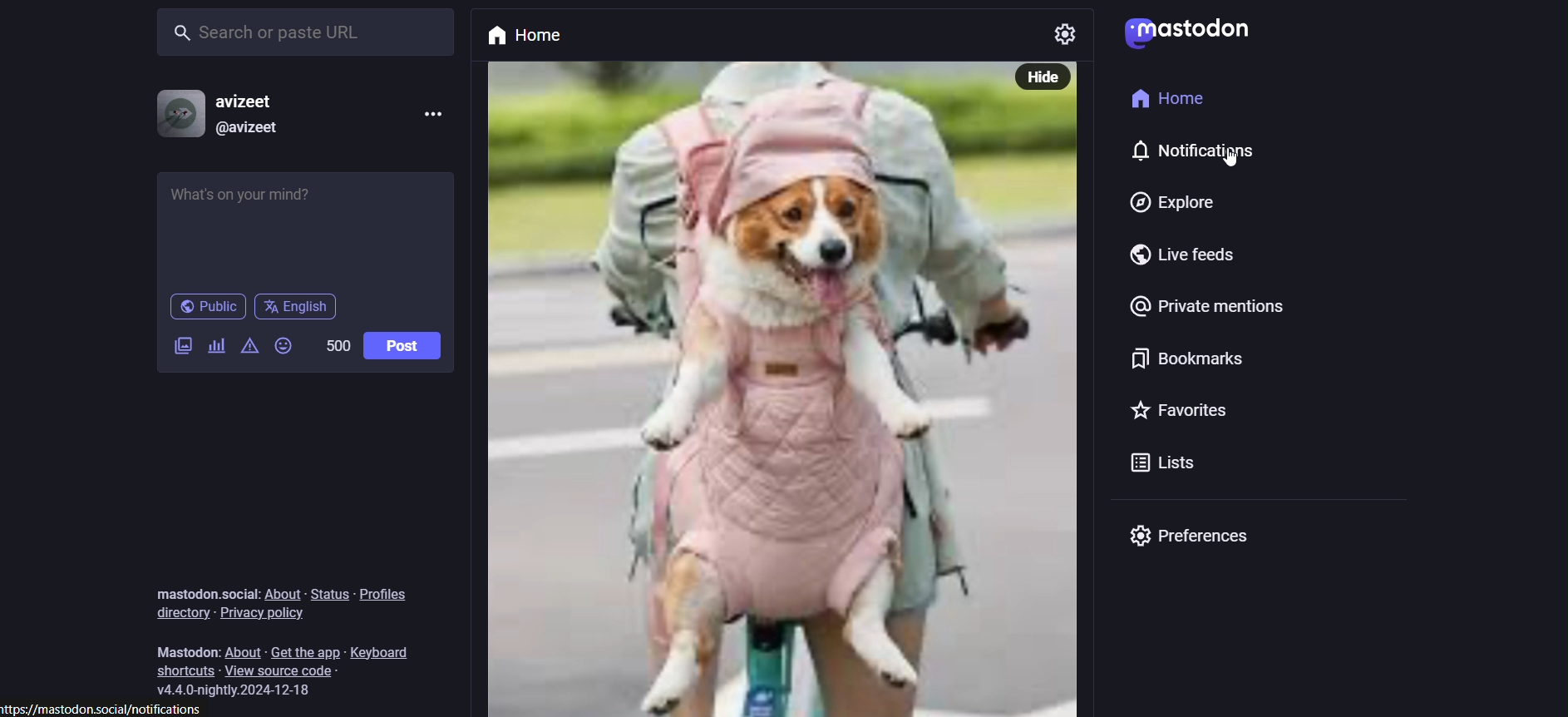 This screenshot has width=1568, height=717. Describe the element at coordinates (1196, 149) in the screenshot. I see `notifications` at that location.